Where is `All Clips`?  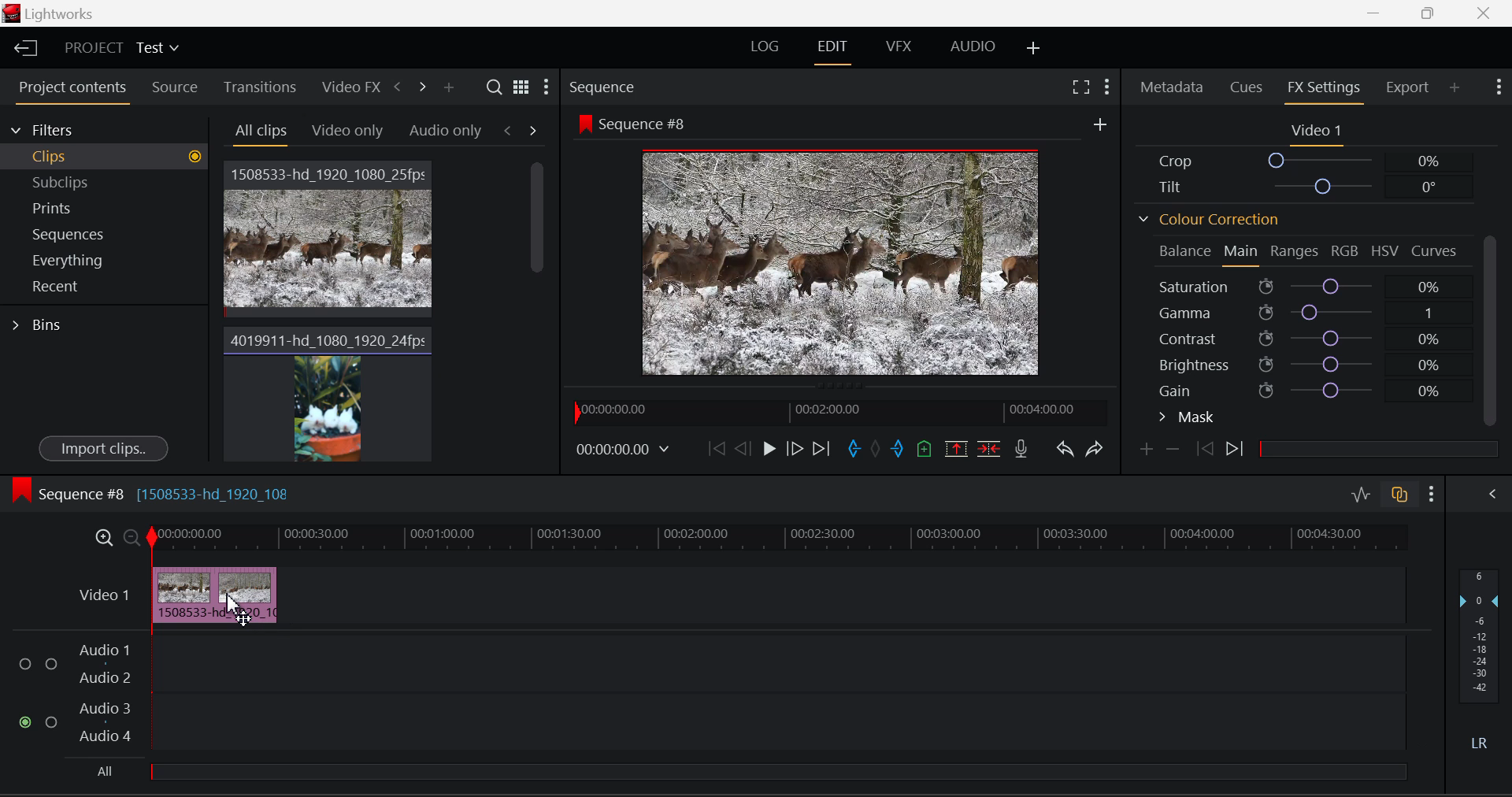
All Clips is located at coordinates (260, 130).